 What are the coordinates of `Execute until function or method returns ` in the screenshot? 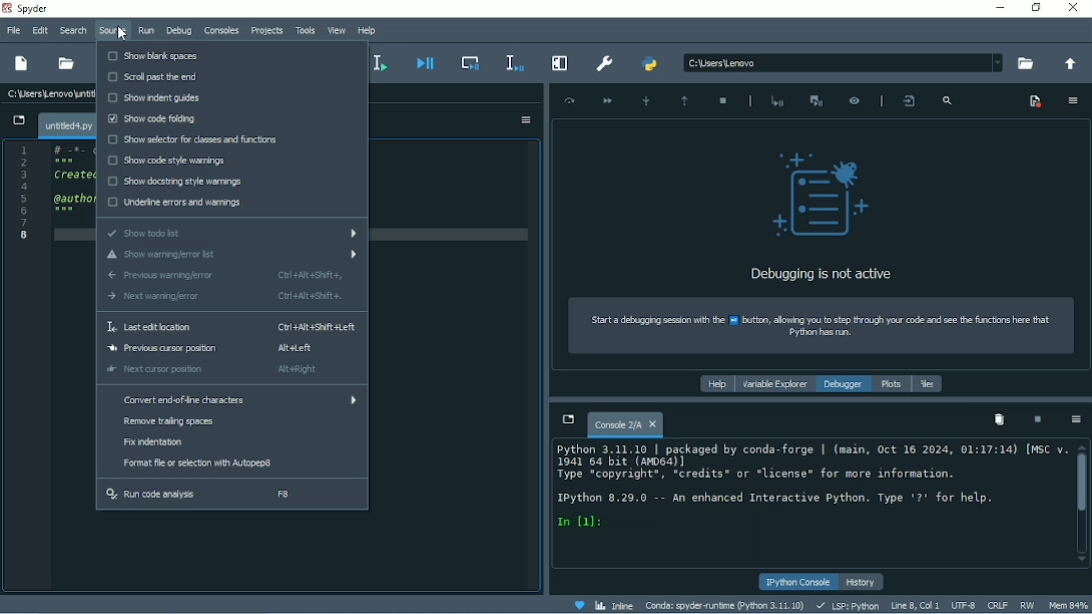 It's located at (685, 101).